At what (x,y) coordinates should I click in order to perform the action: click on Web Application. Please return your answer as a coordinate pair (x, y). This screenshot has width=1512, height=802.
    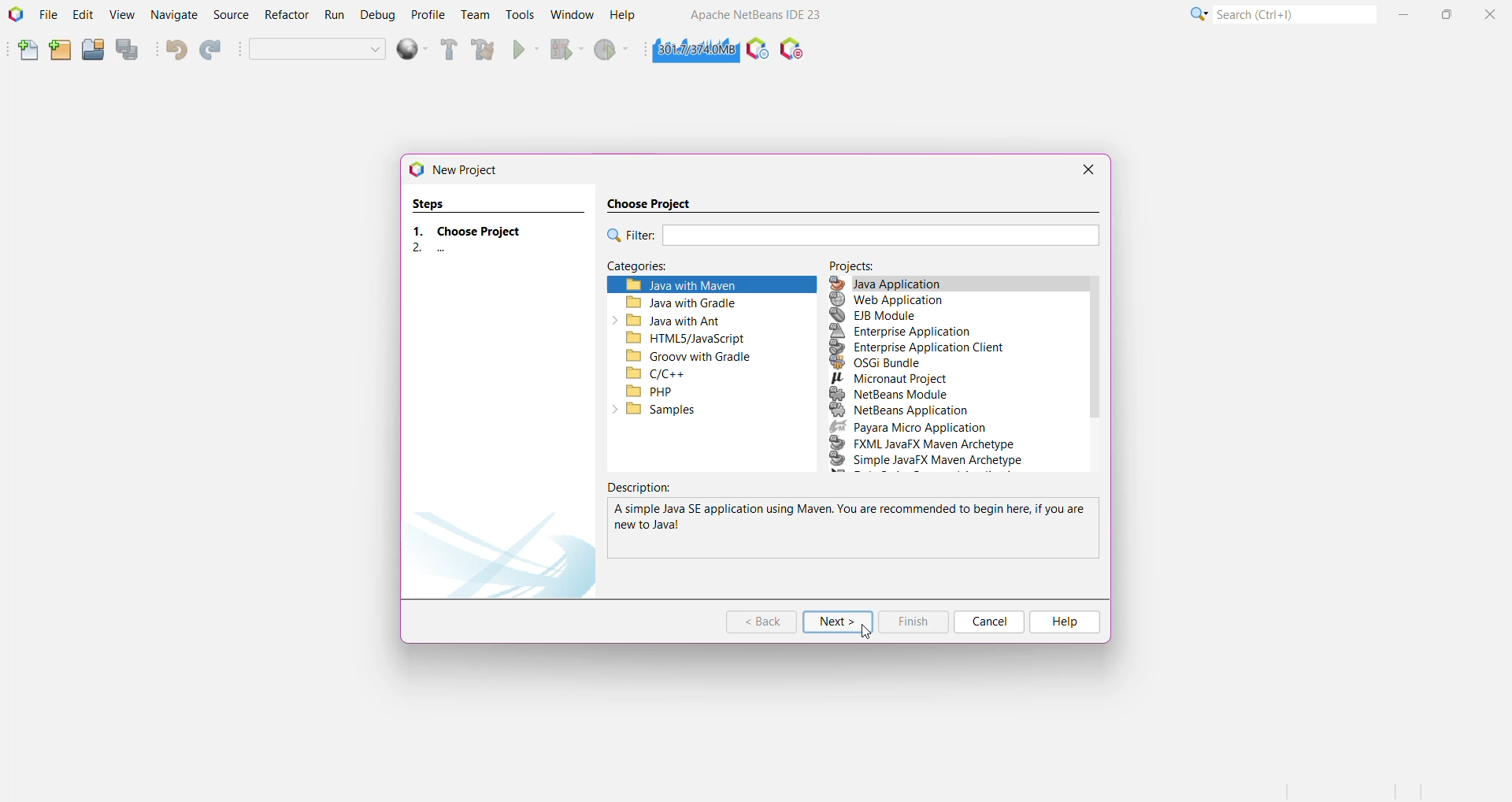
    Looking at the image, I should click on (954, 302).